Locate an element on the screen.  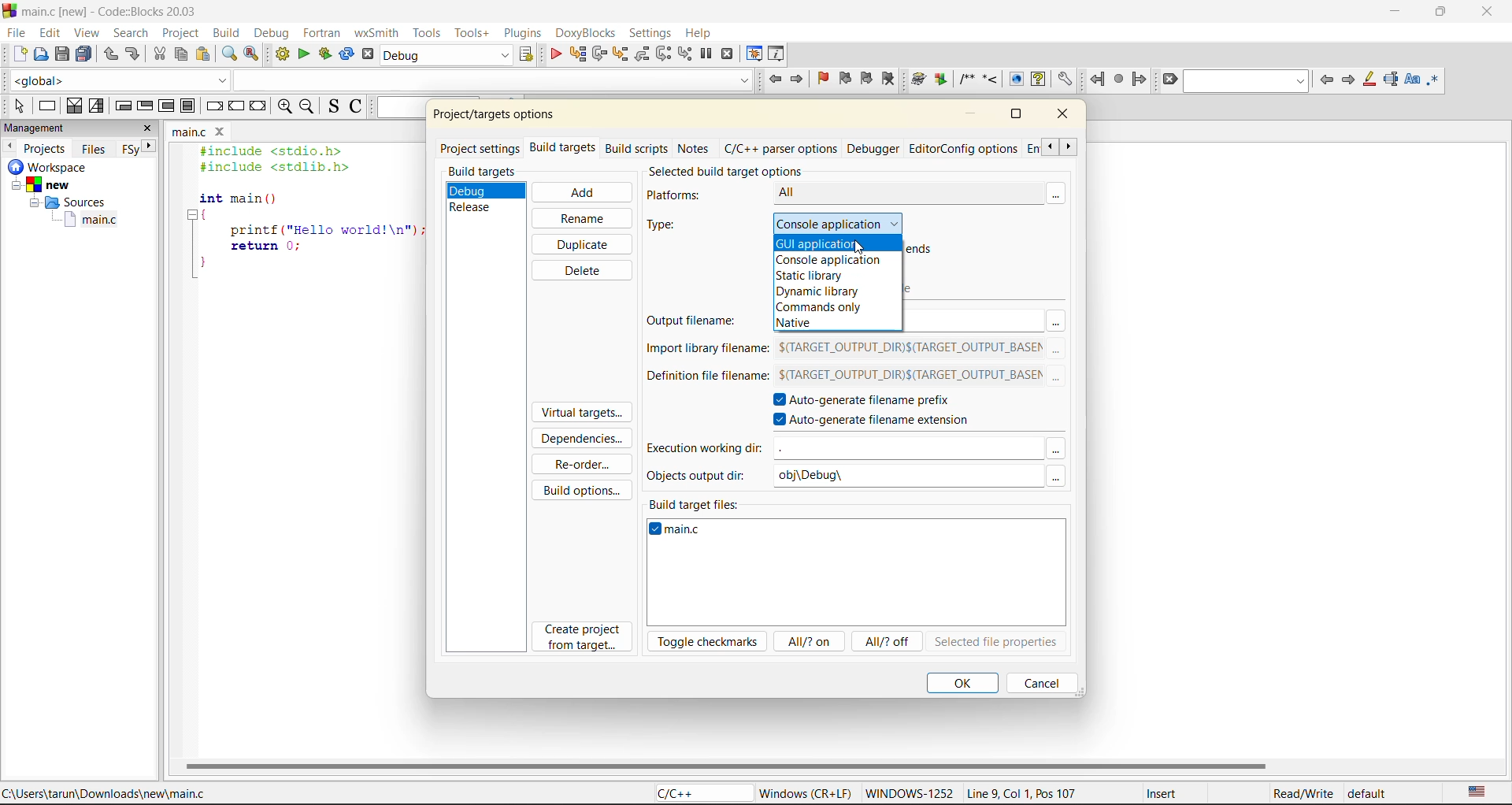
cancel is located at coordinates (1043, 683).